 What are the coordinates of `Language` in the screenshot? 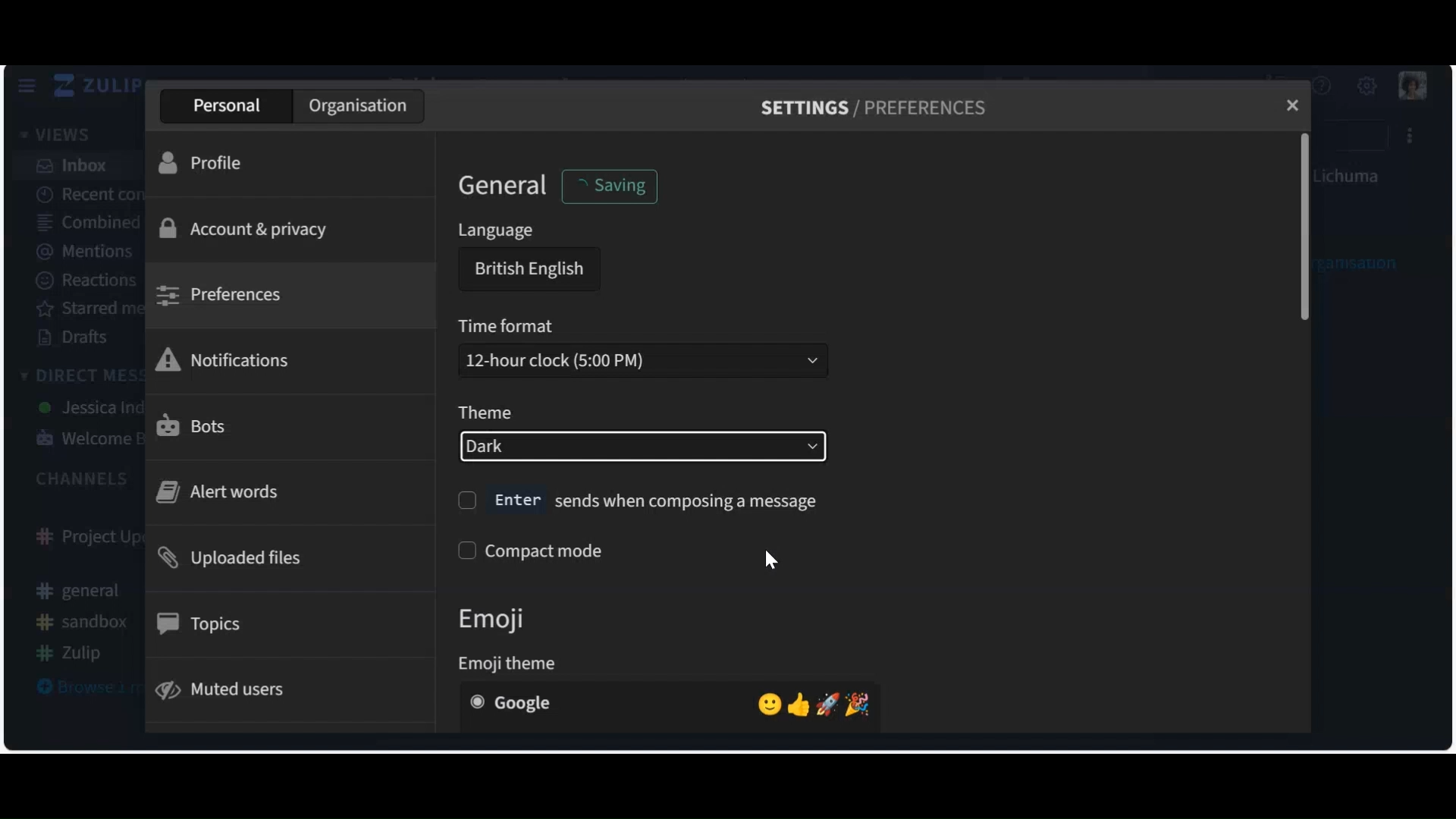 It's located at (494, 231).